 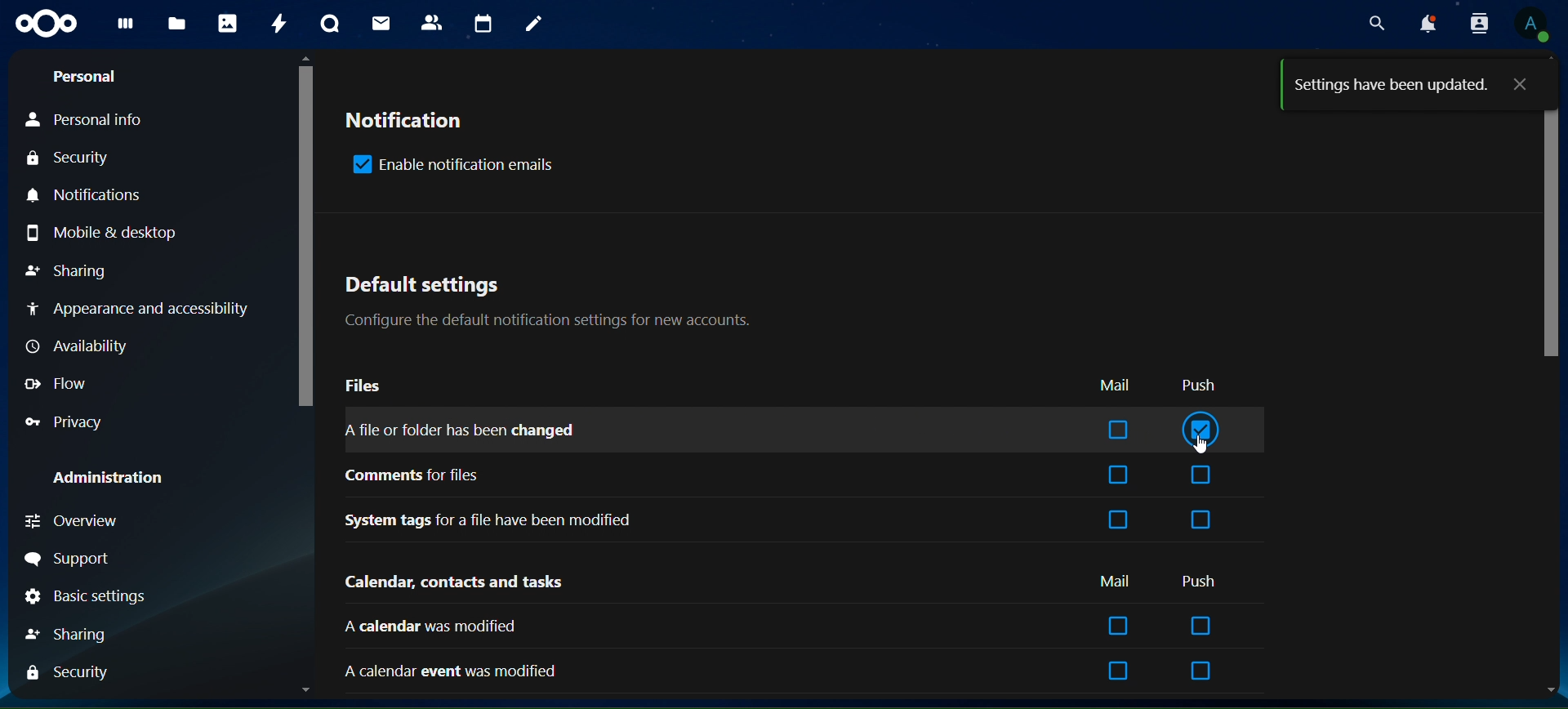 I want to click on calendar, contacts and tasks, so click(x=456, y=583).